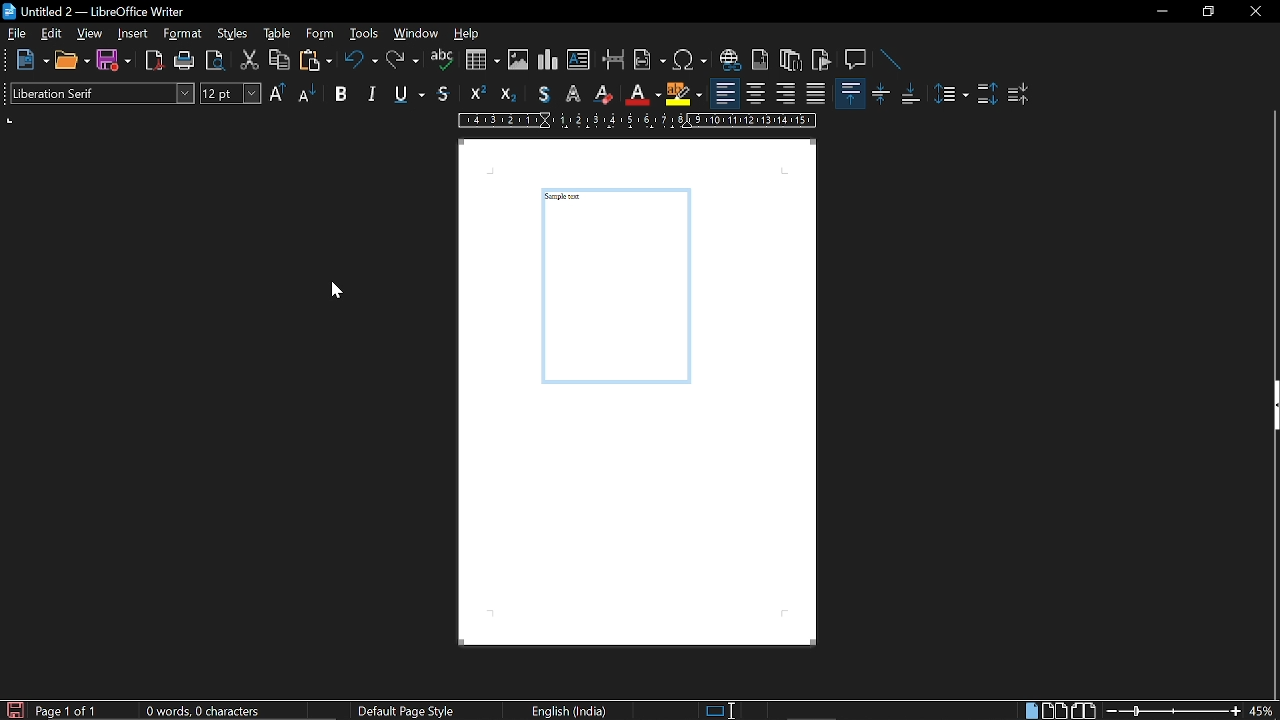 This screenshot has height=720, width=1280. Describe the element at coordinates (31, 59) in the screenshot. I see `new` at that location.